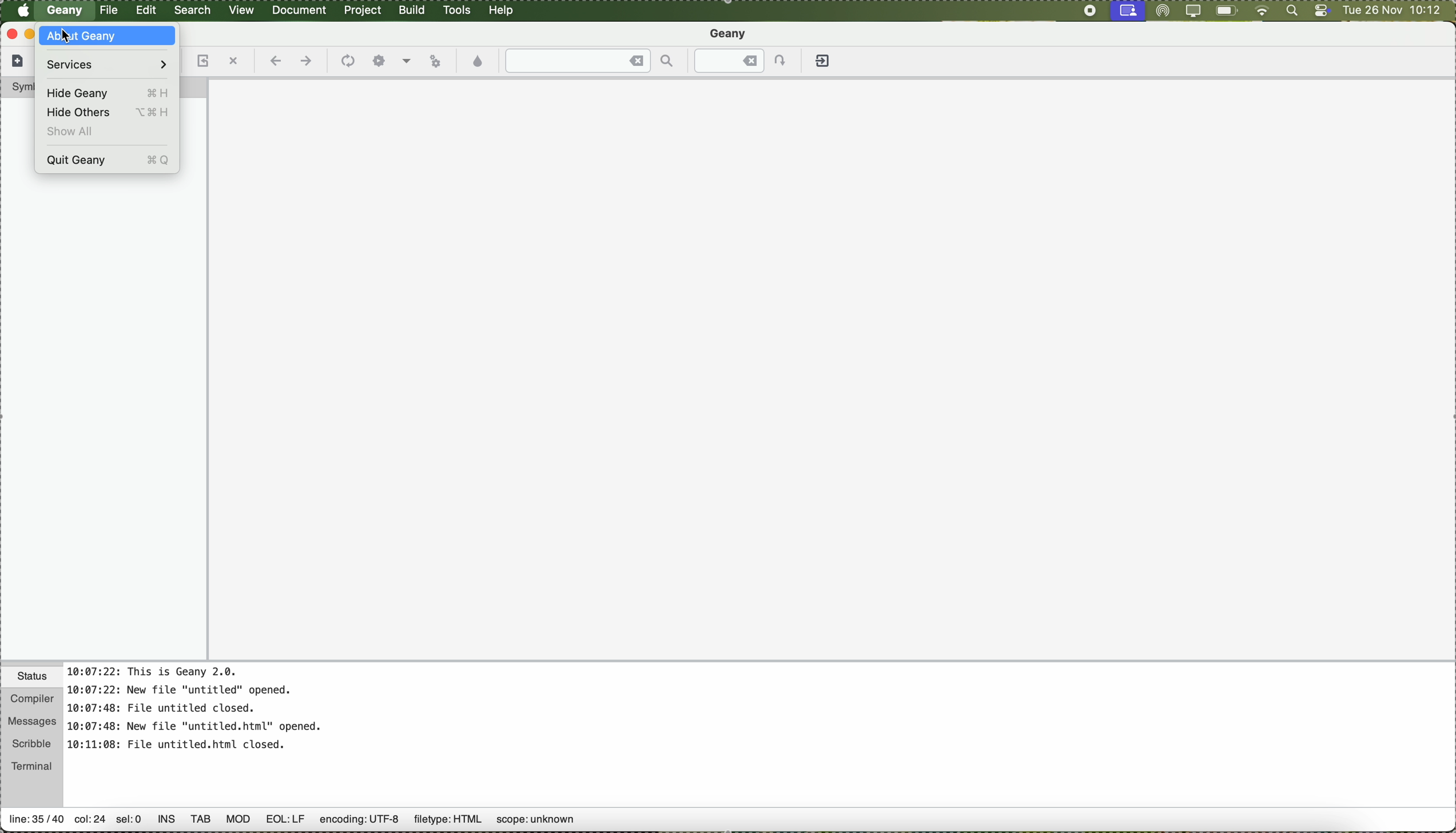 The image size is (1456, 833). What do you see at coordinates (1191, 11) in the screenshot?
I see `screen` at bounding box center [1191, 11].